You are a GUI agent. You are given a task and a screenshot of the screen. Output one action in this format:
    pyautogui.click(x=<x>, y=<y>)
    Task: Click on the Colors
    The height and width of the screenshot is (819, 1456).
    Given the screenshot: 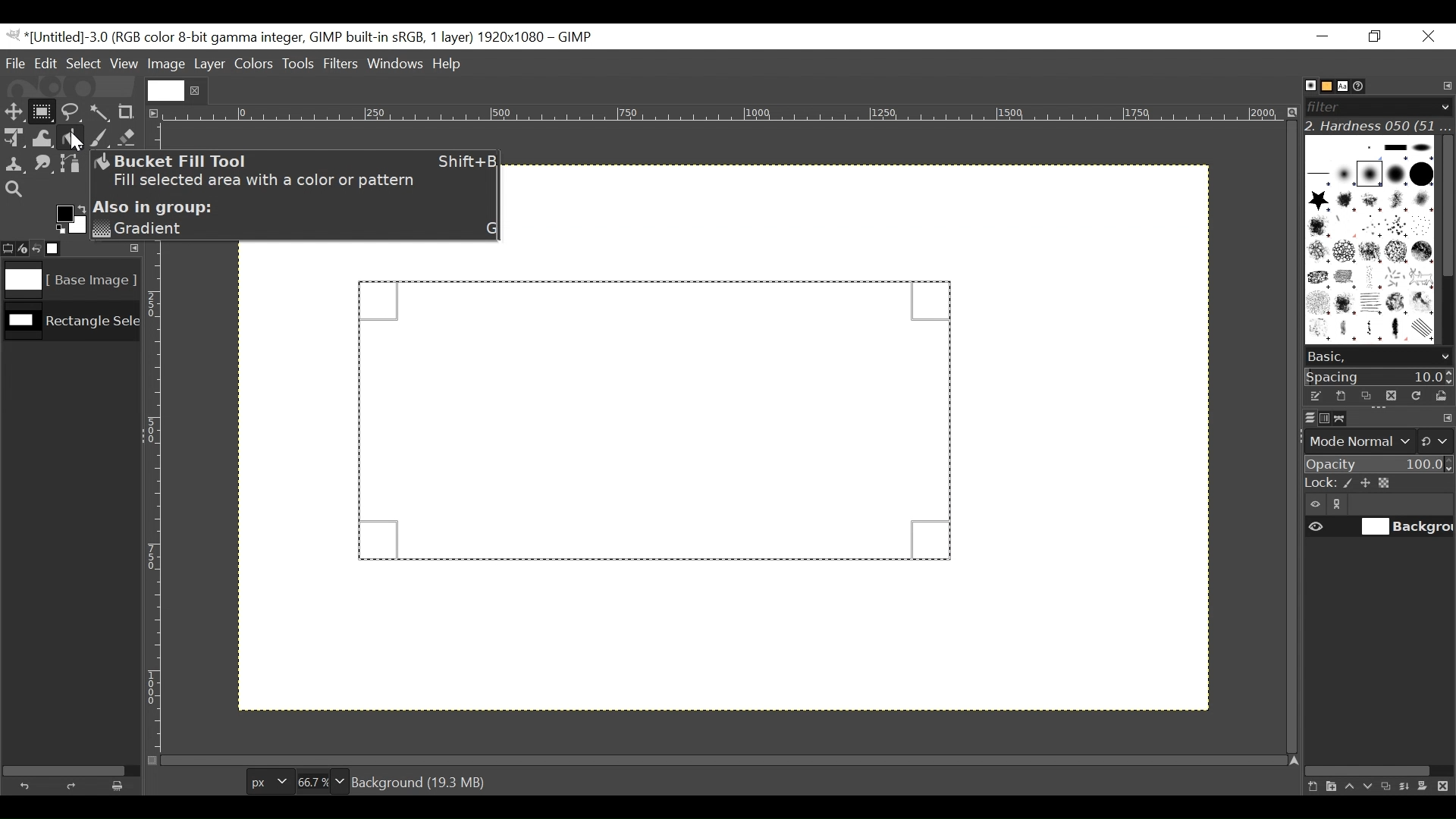 What is the action you would take?
    pyautogui.click(x=254, y=64)
    